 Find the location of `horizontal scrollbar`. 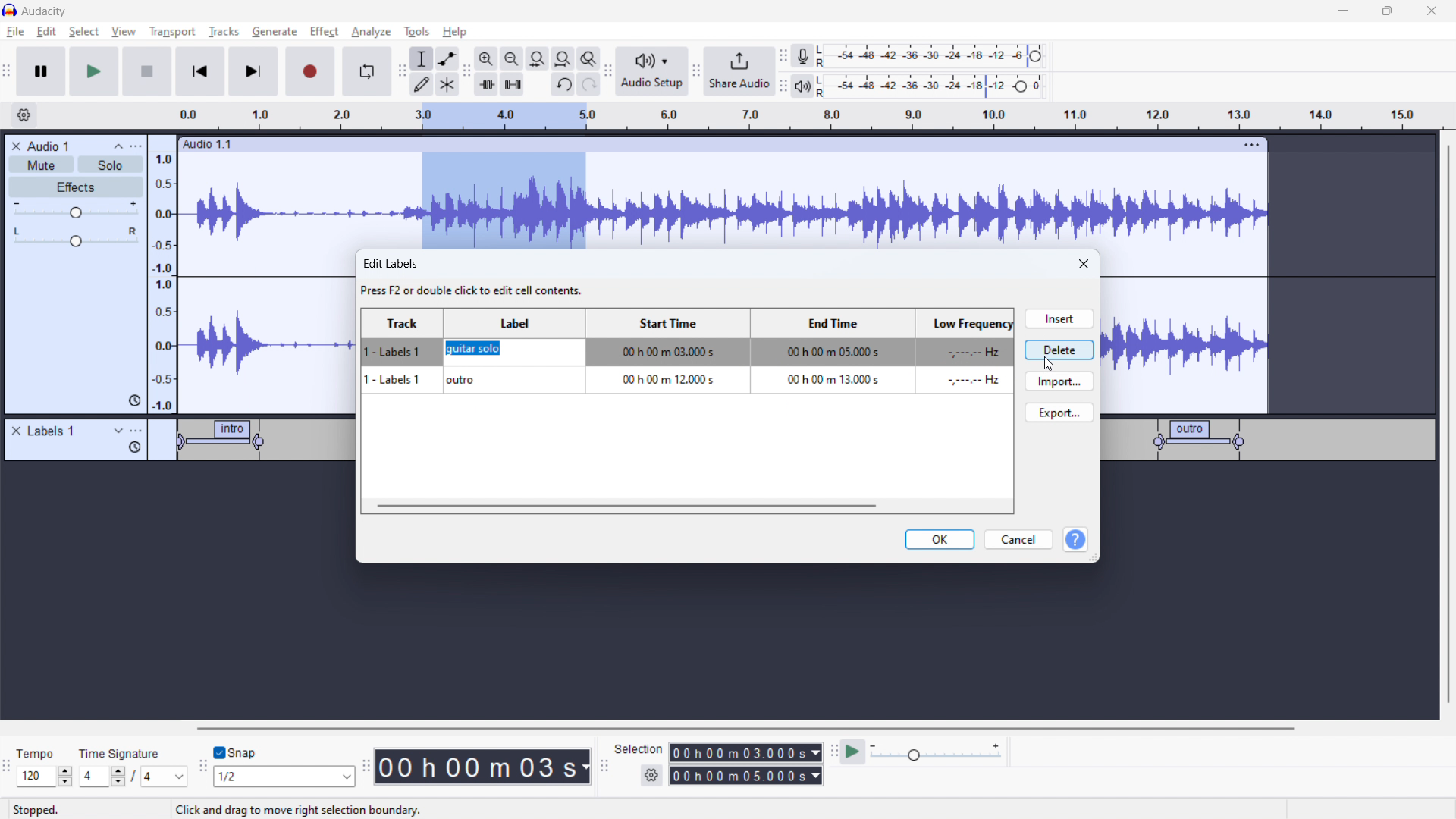

horizontal scrollbar is located at coordinates (748, 728).